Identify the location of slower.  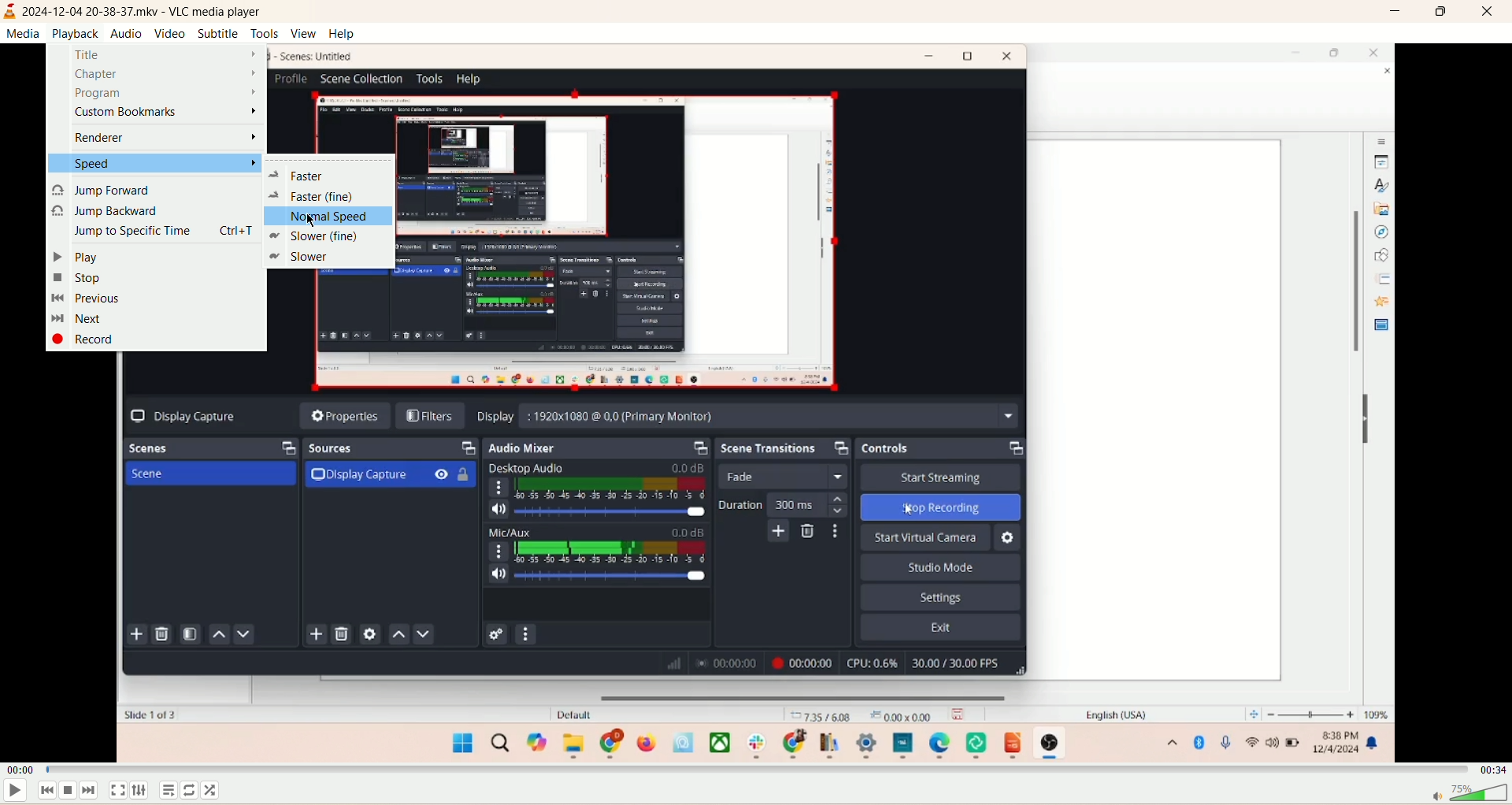
(299, 258).